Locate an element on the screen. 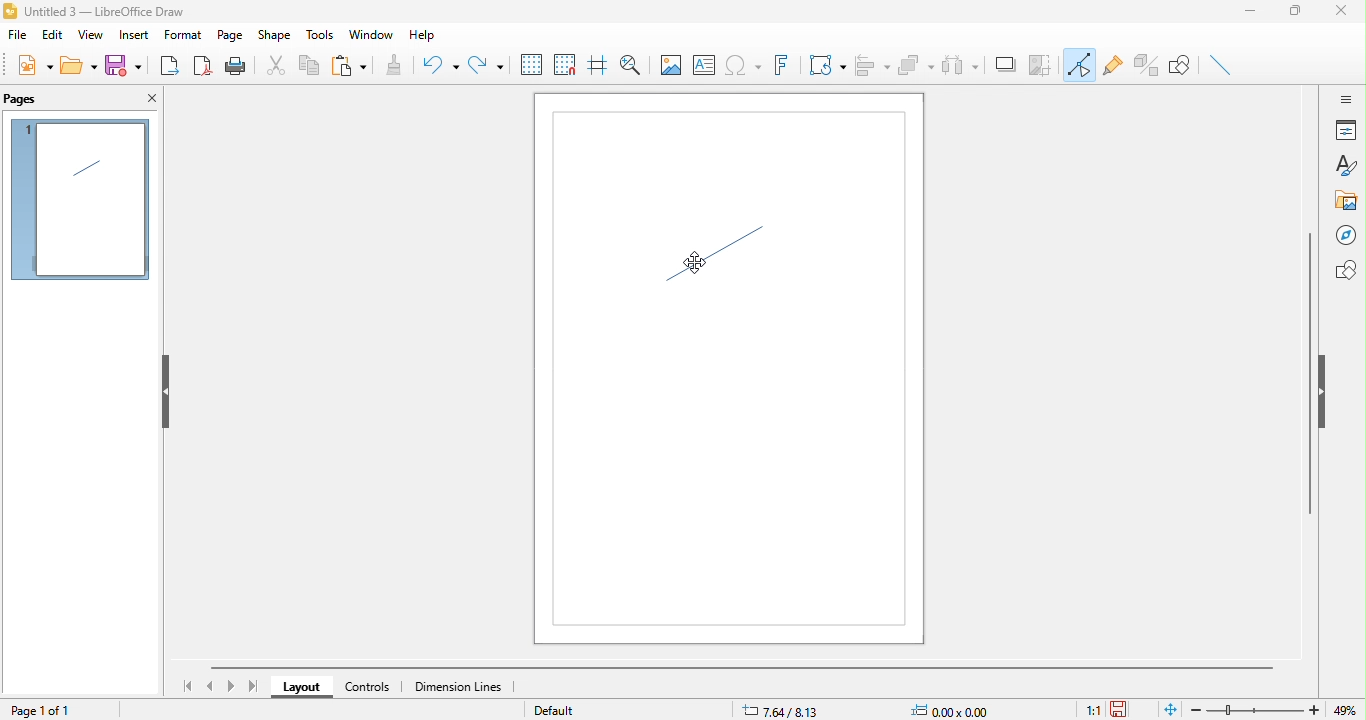  snap to grid is located at coordinates (564, 65).